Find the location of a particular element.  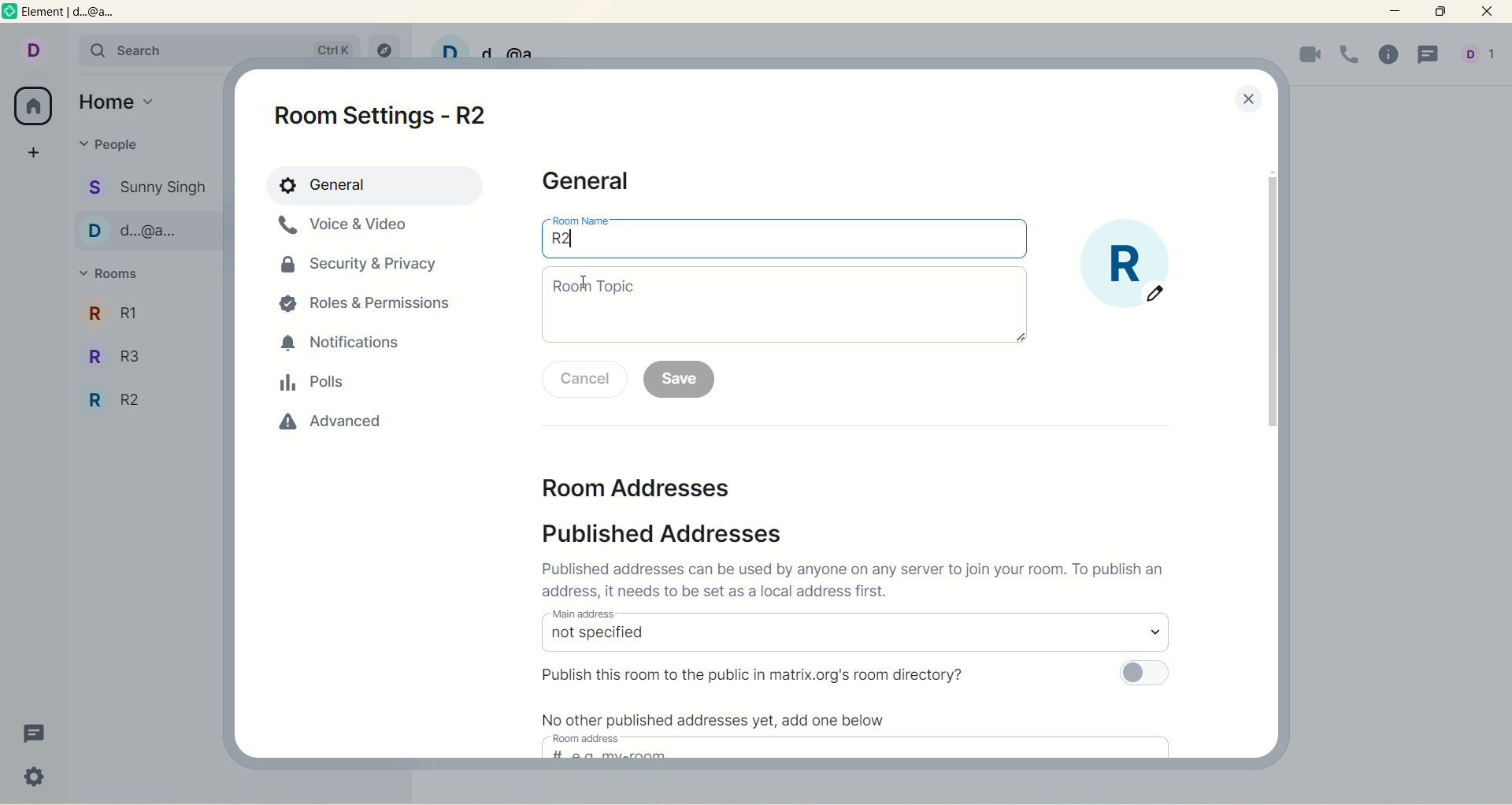

general is located at coordinates (592, 183).